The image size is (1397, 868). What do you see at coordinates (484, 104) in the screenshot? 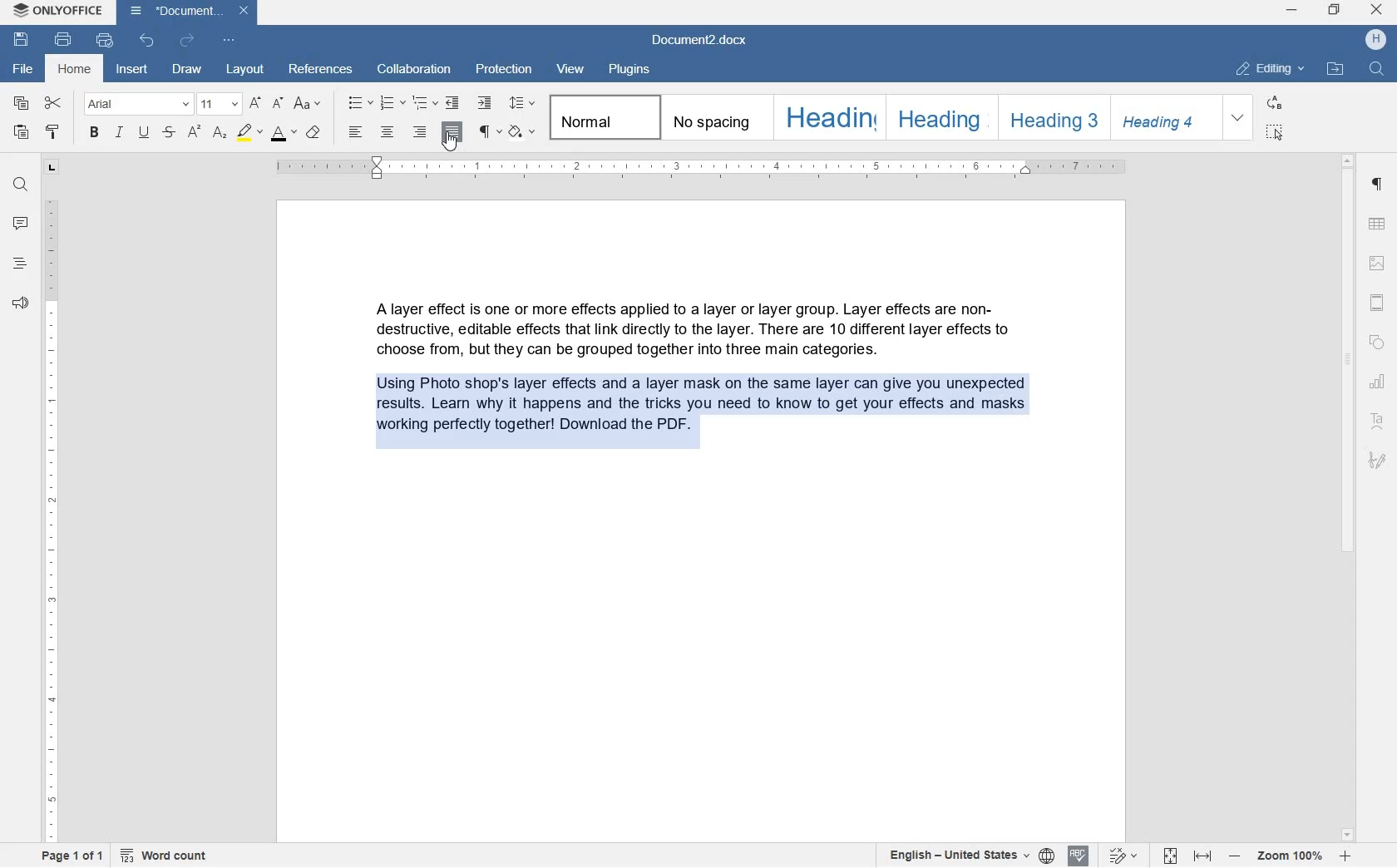
I see `INCREASE INDENT` at bounding box center [484, 104].